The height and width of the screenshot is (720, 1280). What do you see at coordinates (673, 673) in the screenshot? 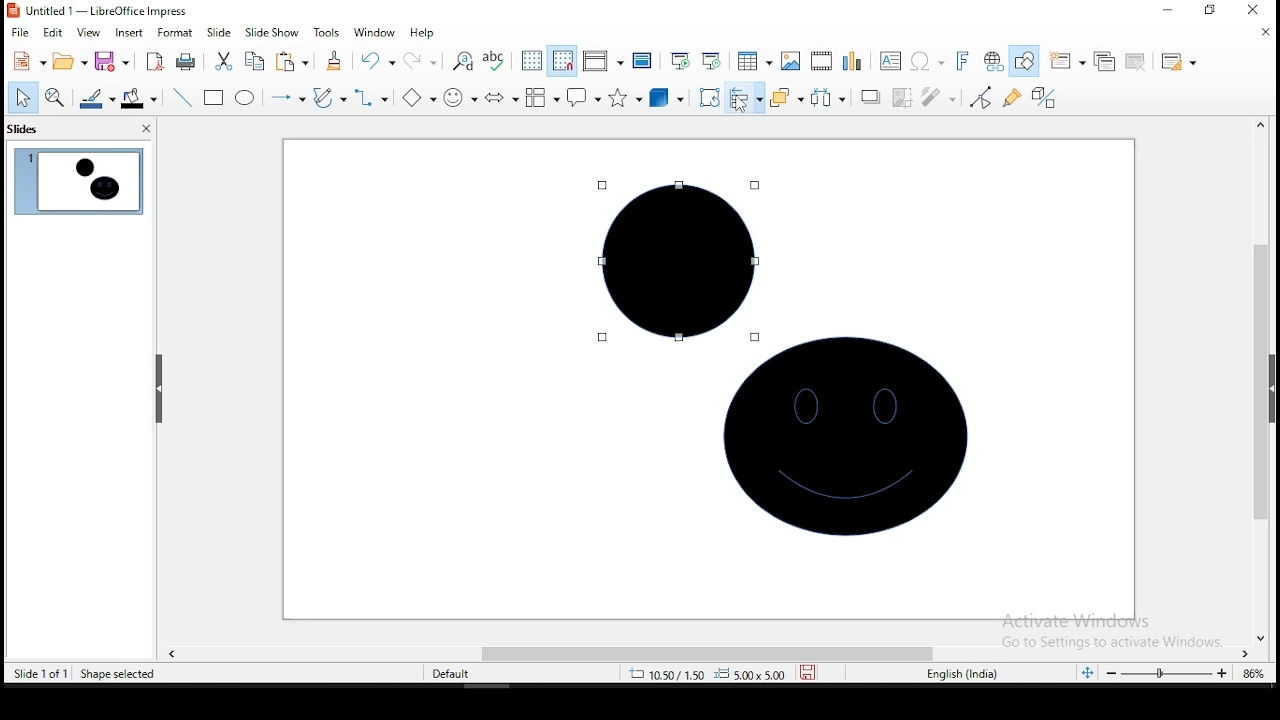
I see `12.58/3.97` at bounding box center [673, 673].